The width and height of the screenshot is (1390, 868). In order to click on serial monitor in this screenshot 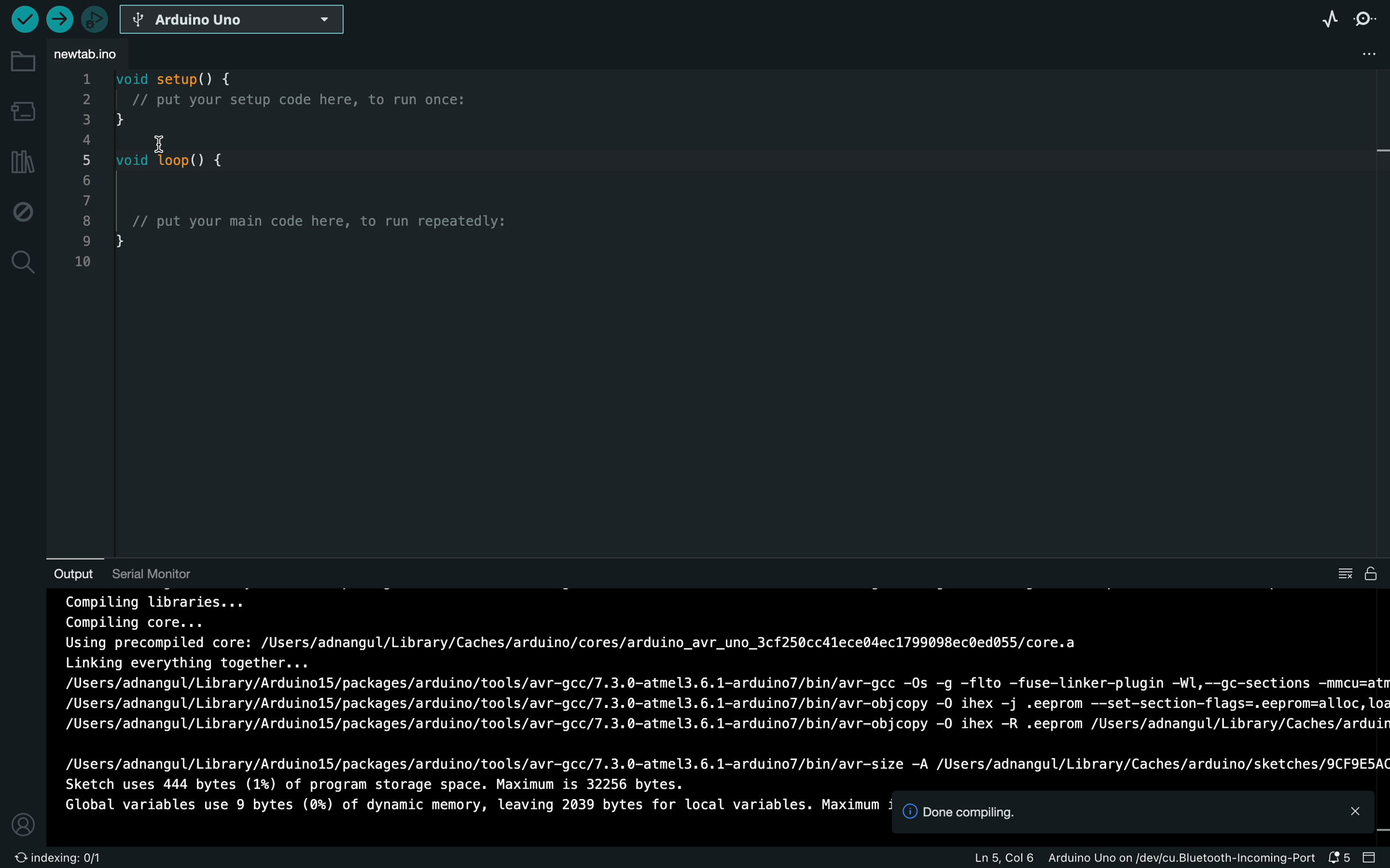, I will do `click(1367, 20)`.